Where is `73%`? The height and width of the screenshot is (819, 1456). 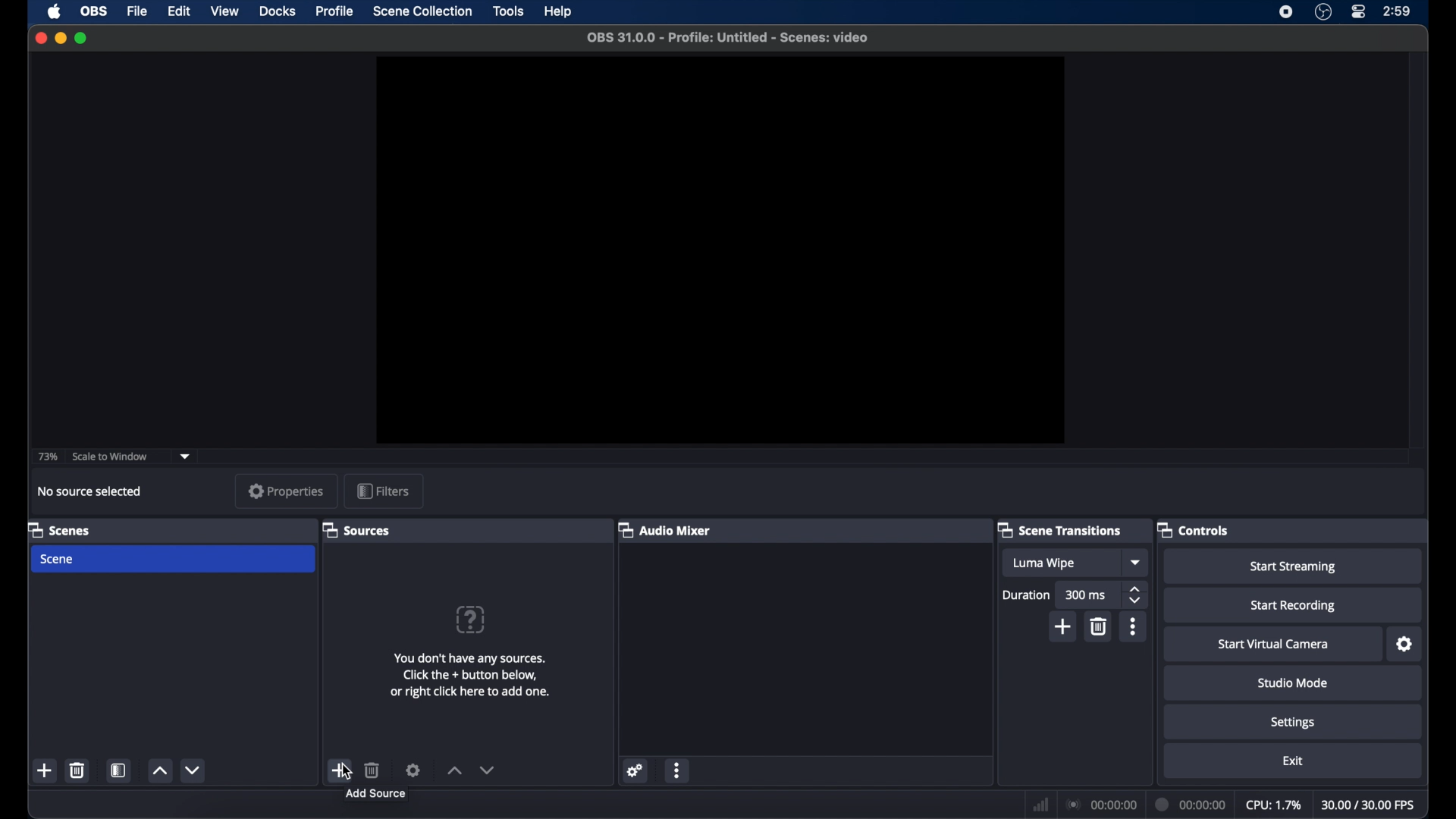 73% is located at coordinates (46, 457).